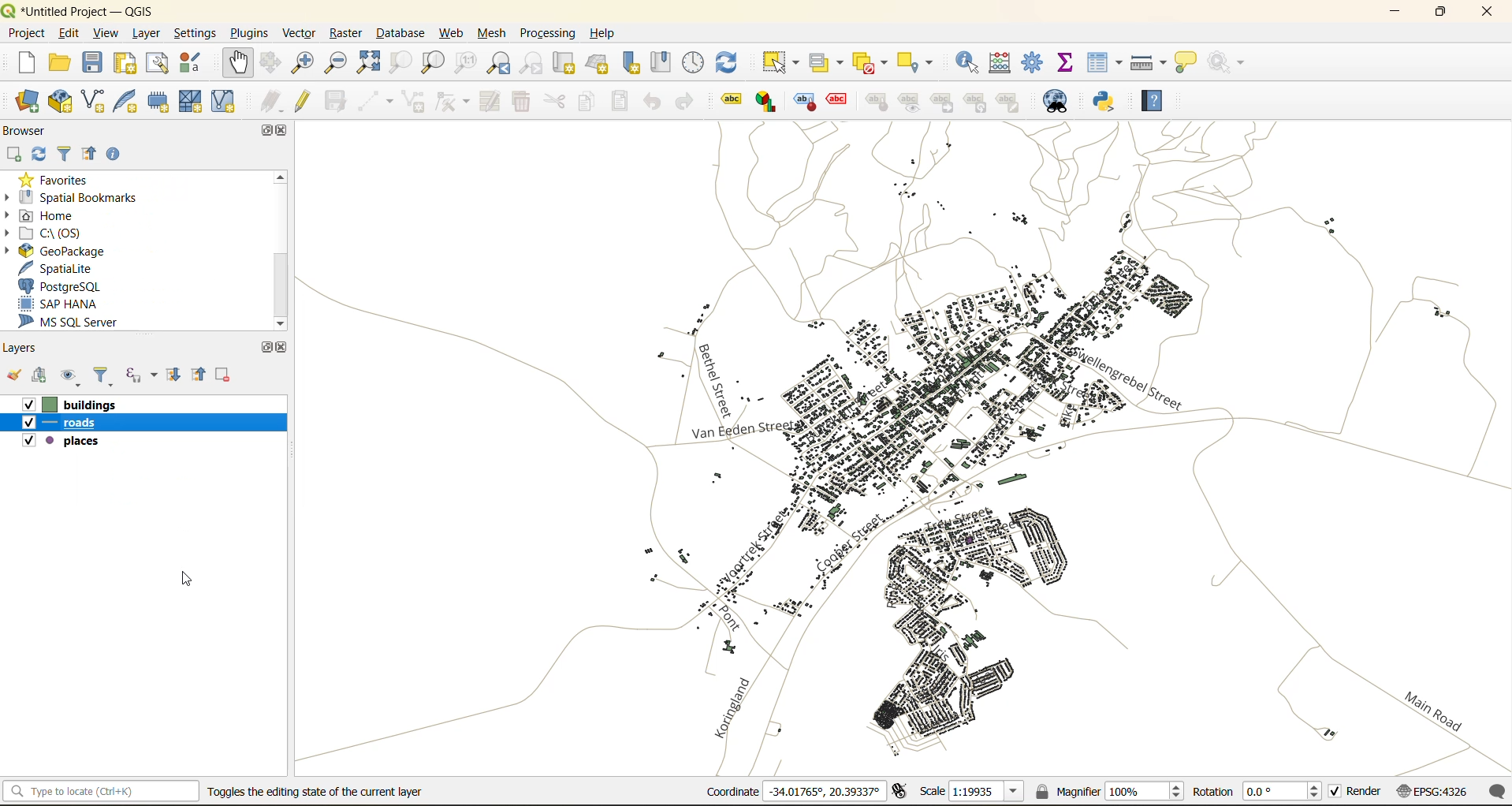 The image size is (1512, 806). I want to click on python, so click(1108, 101).